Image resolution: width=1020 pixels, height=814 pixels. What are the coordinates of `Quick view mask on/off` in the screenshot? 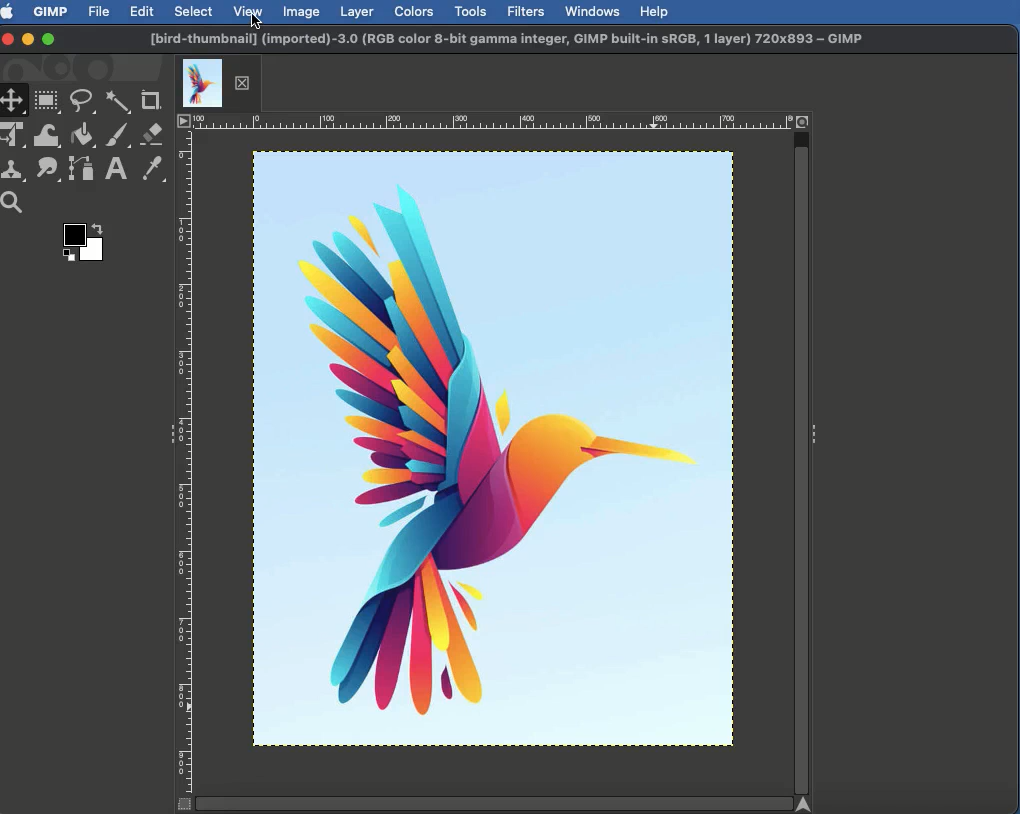 It's located at (181, 805).